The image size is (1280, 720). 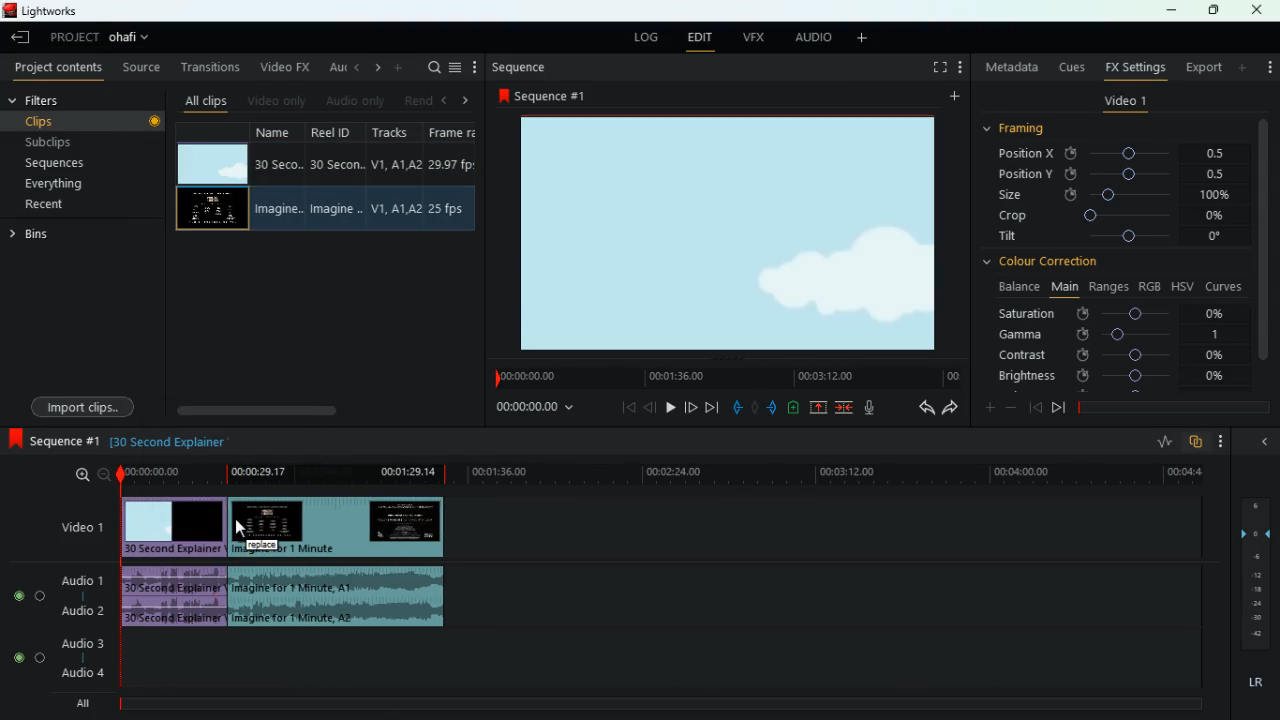 I want to click on audio, so click(x=338, y=597).